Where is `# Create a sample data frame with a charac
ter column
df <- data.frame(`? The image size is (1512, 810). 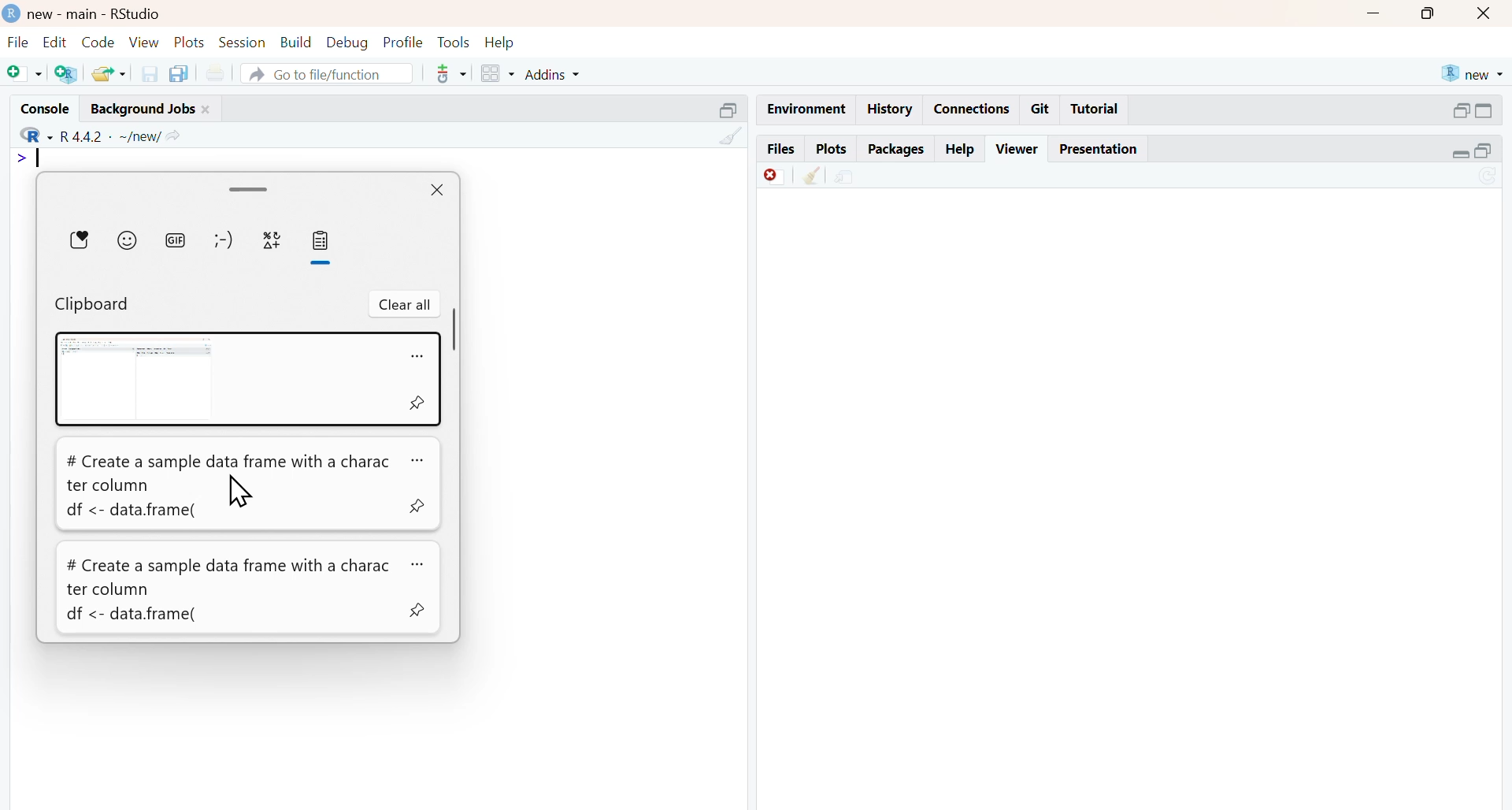 # Create a sample data frame with a charac
ter column
df <- data.frame( is located at coordinates (229, 591).